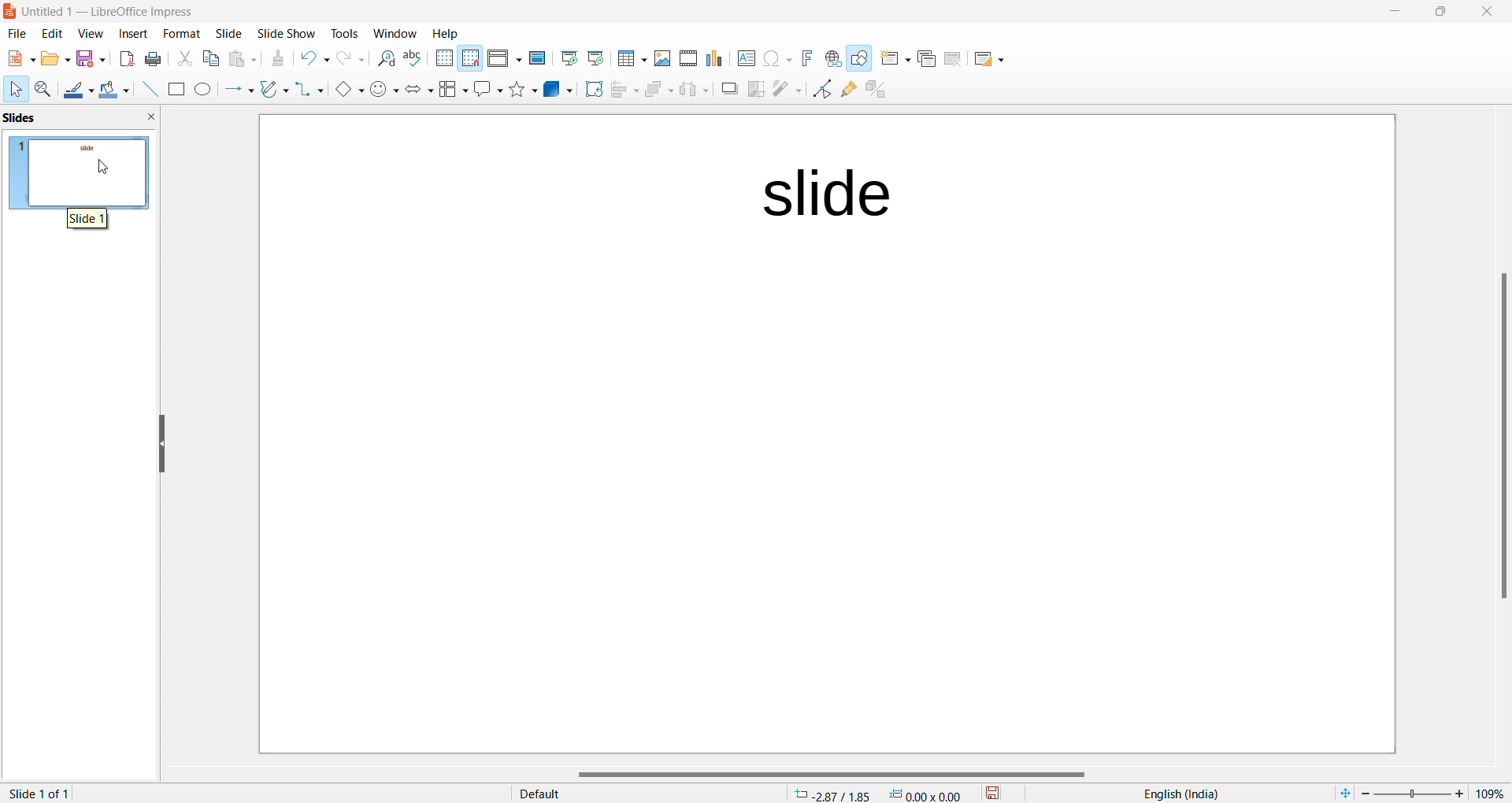  What do you see at coordinates (660, 57) in the screenshot?
I see `Insert images` at bounding box center [660, 57].